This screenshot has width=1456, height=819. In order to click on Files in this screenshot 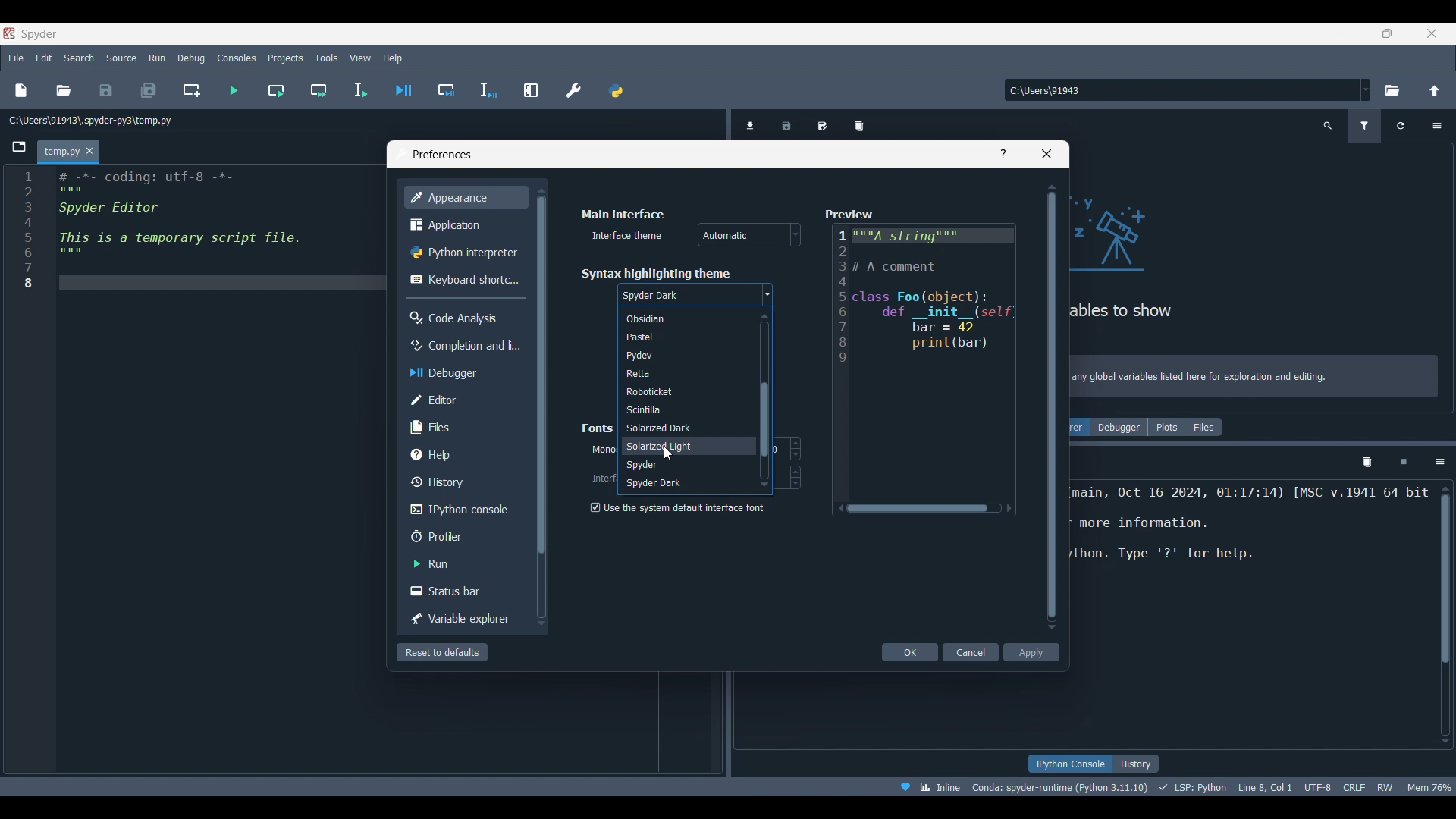, I will do `click(1203, 427)`.